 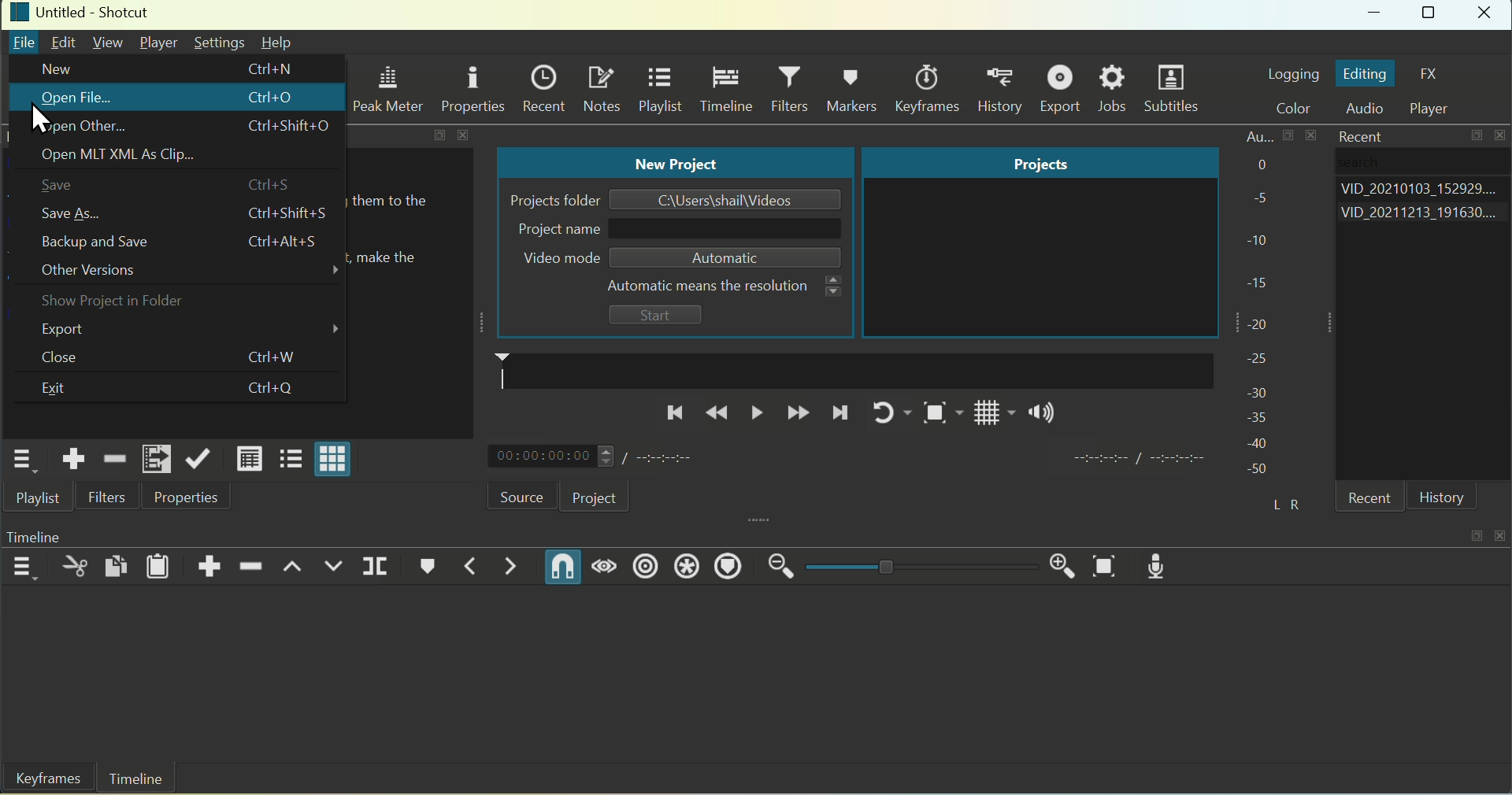 What do you see at coordinates (1487, 15) in the screenshot?
I see `Close` at bounding box center [1487, 15].